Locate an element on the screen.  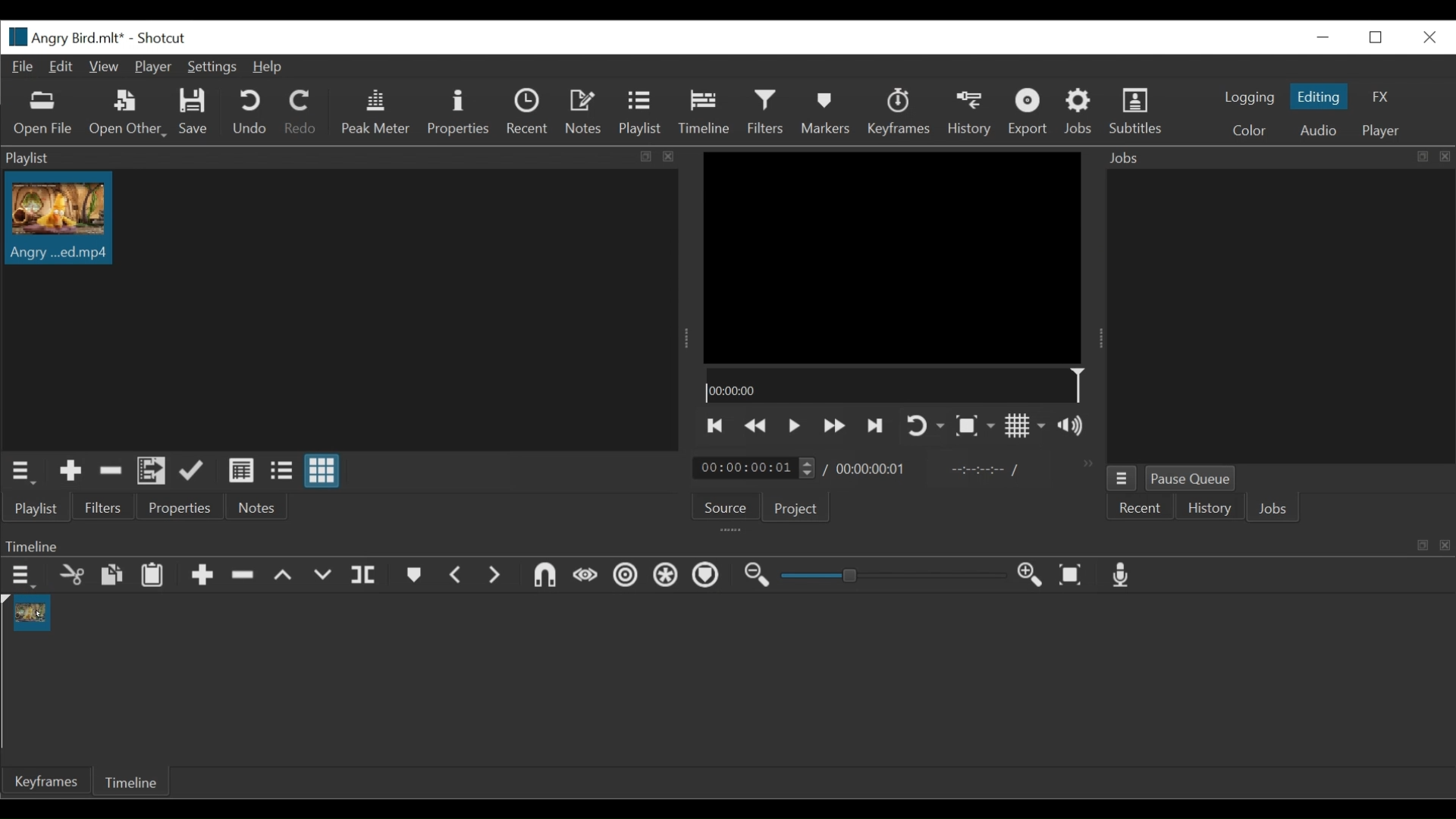
Paste is located at coordinates (155, 577).